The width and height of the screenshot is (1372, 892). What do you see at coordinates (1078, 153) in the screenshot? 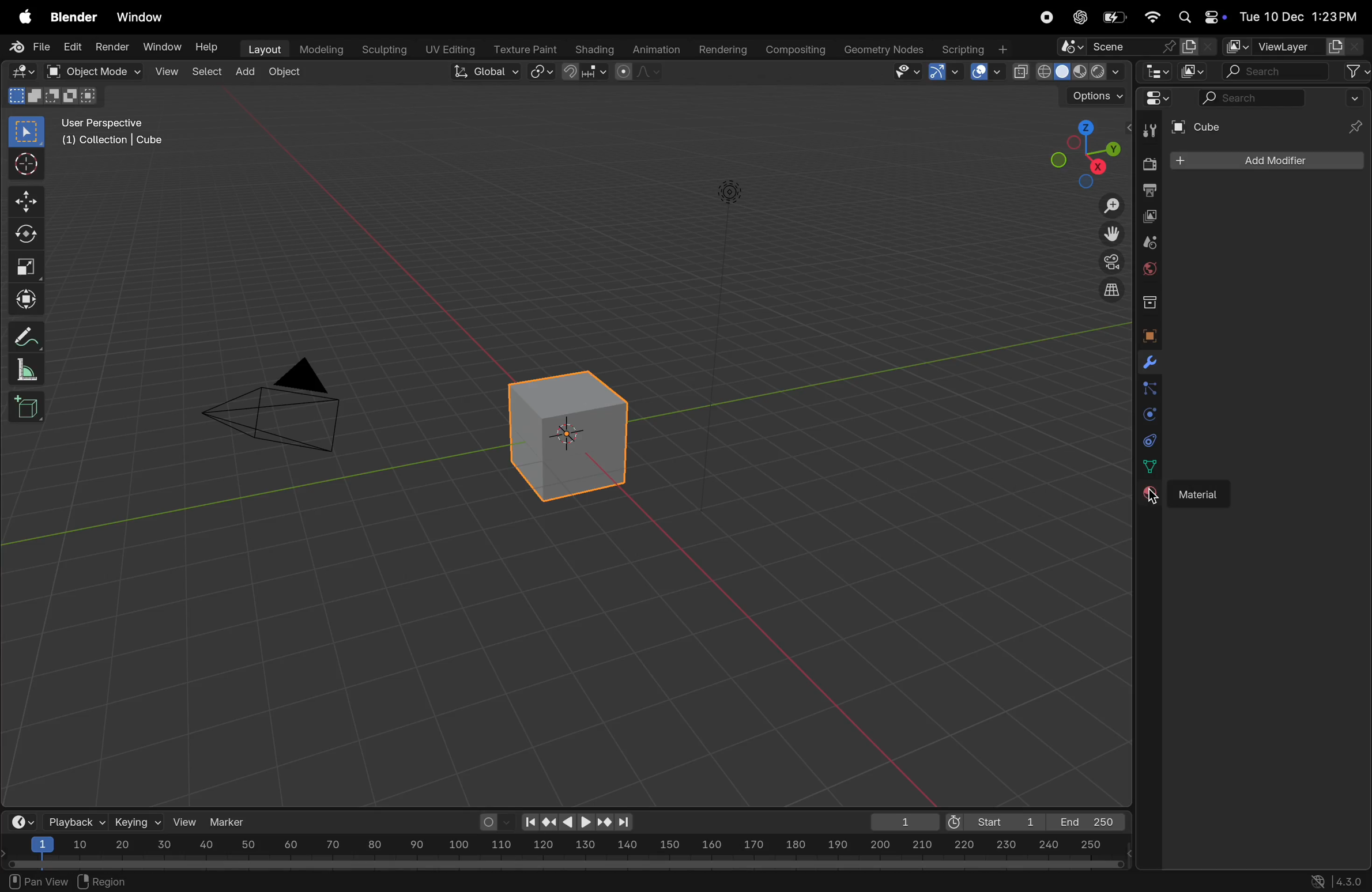
I see `view point` at bounding box center [1078, 153].